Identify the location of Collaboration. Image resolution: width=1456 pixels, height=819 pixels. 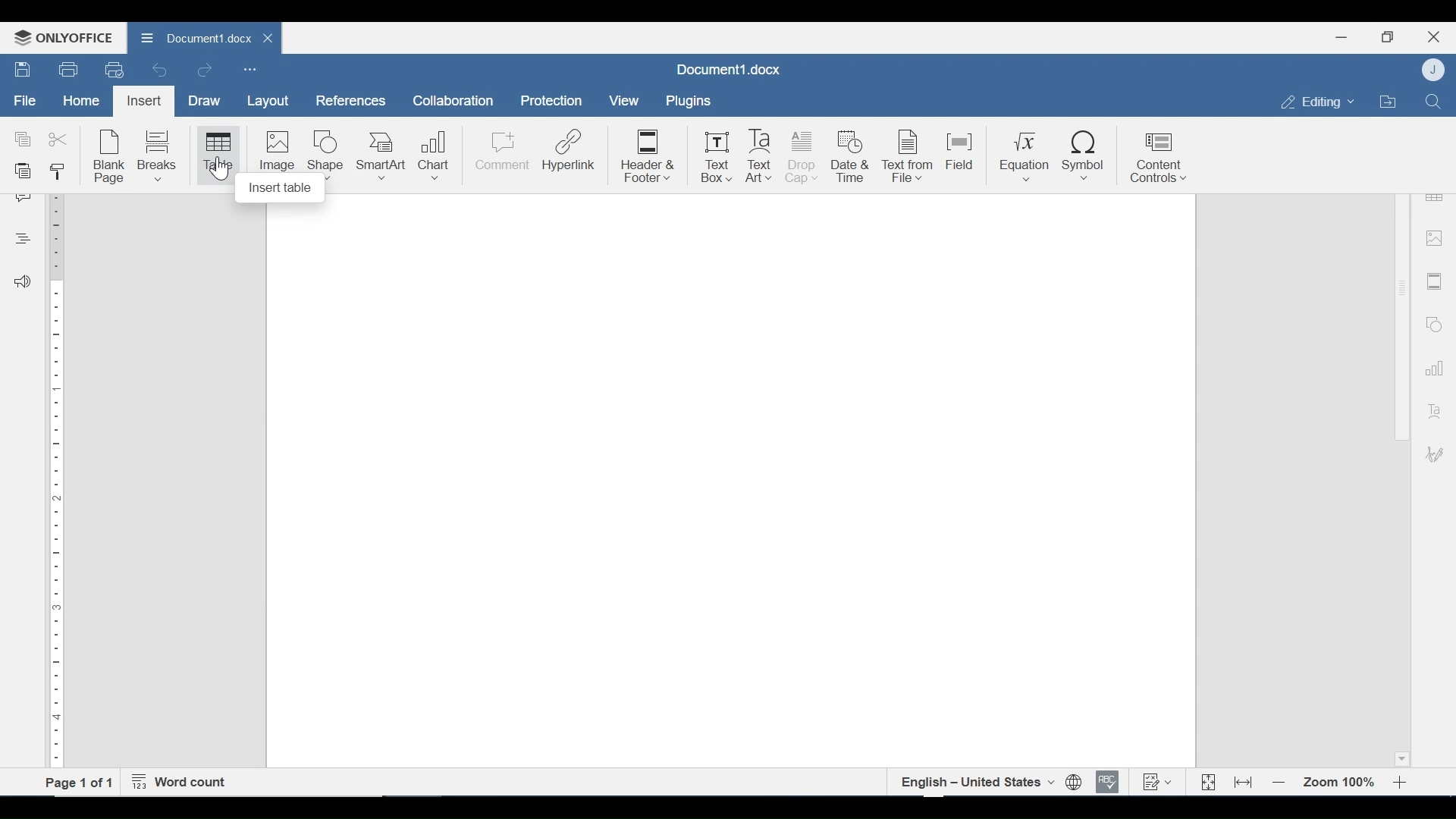
(454, 101).